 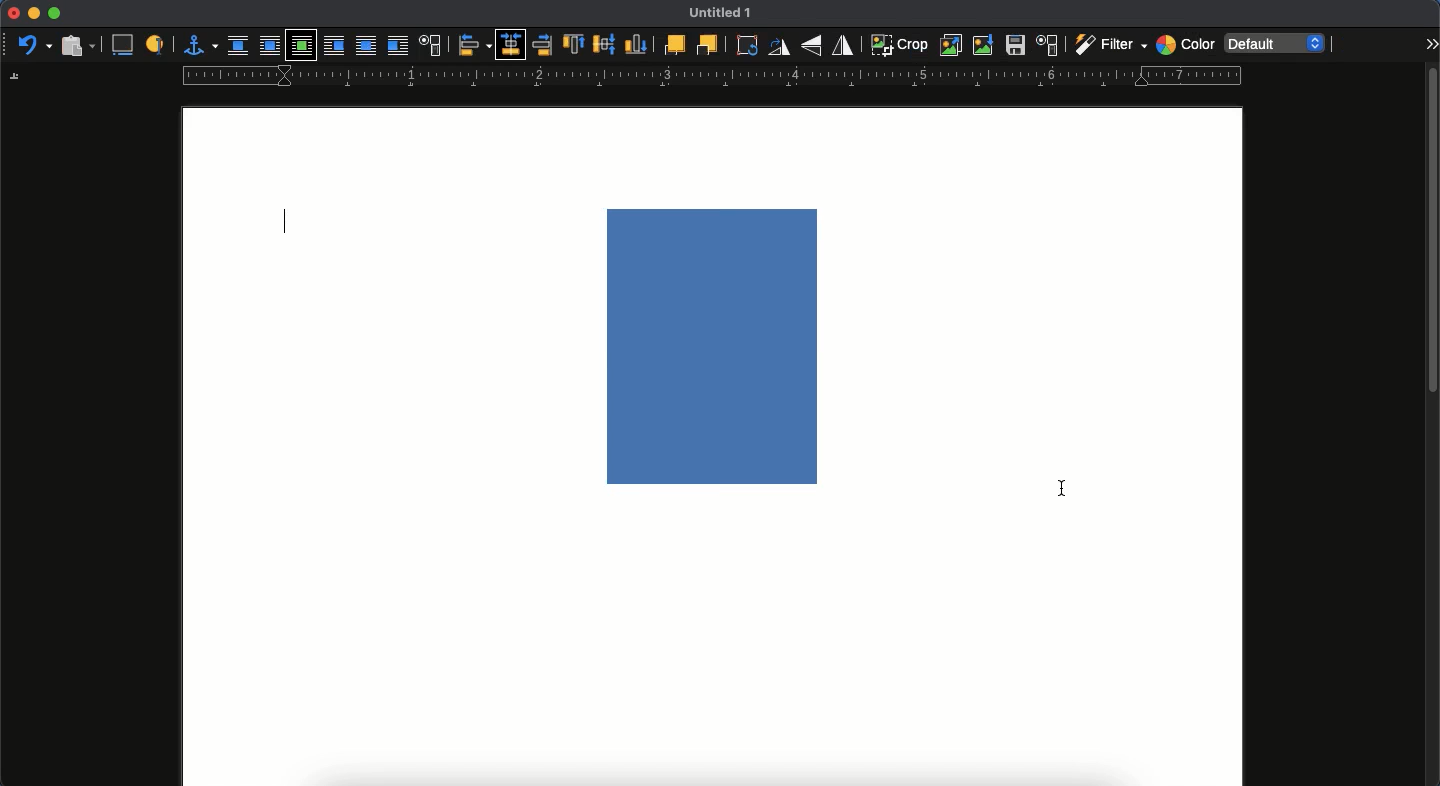 What do you see at coordinates (674, 45) in the screenshot?
I see `forward one` at bounding box center [674, 45].